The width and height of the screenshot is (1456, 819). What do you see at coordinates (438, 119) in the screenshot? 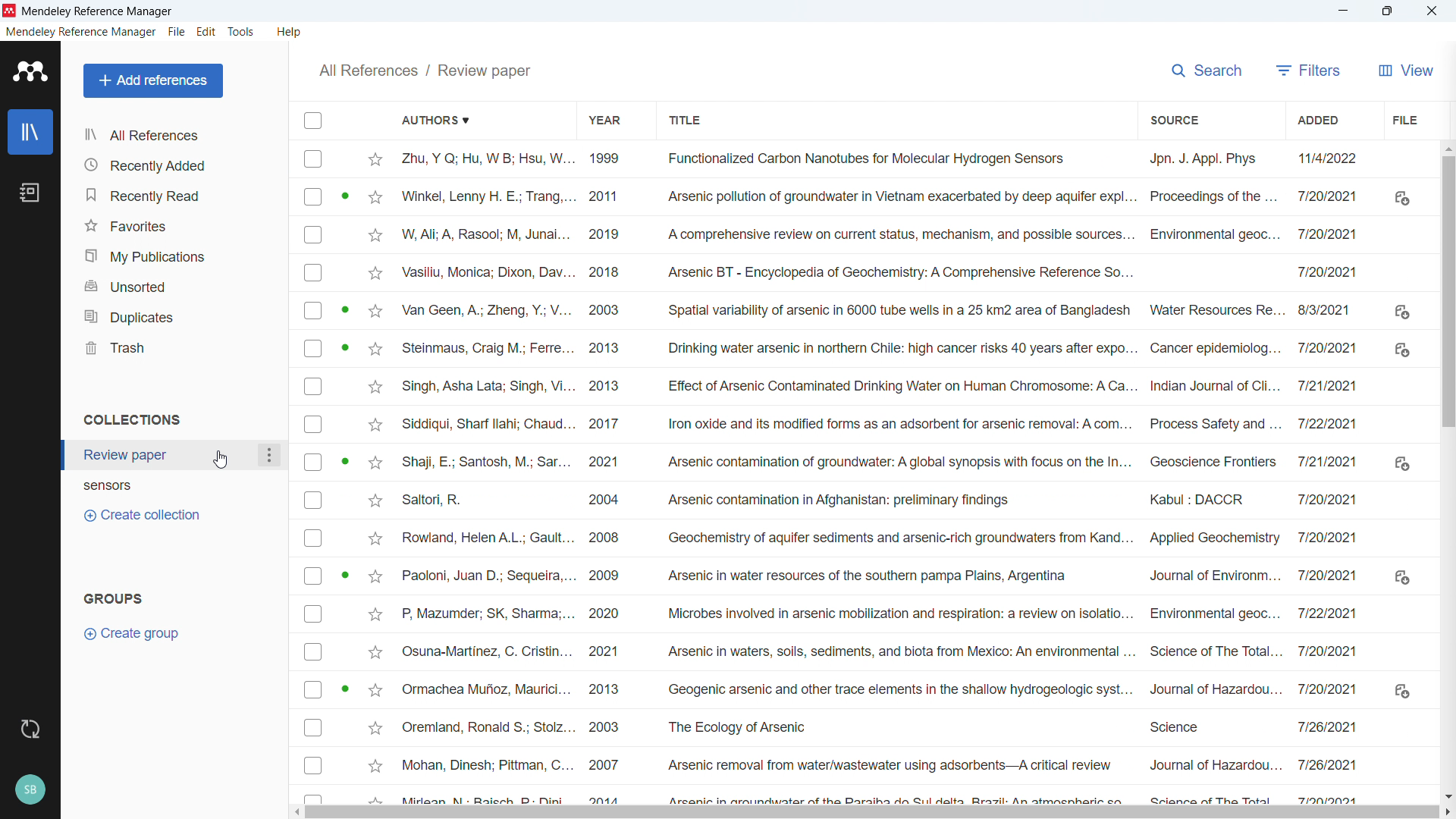
I see `Sort by authors ` at bounding box center [438, 119].